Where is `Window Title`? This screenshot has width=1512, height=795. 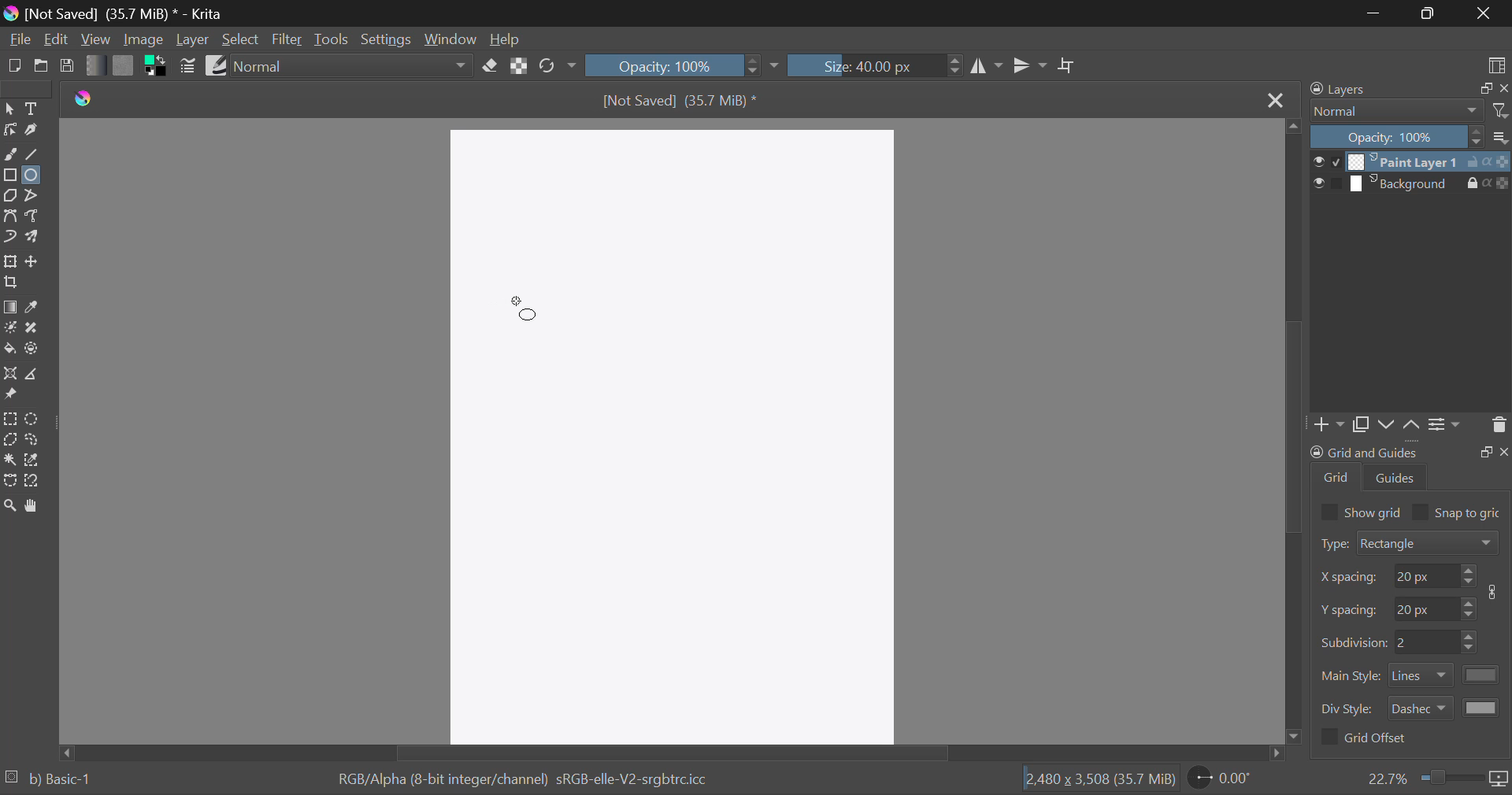
Window Title is located at coordinates (115, 13).